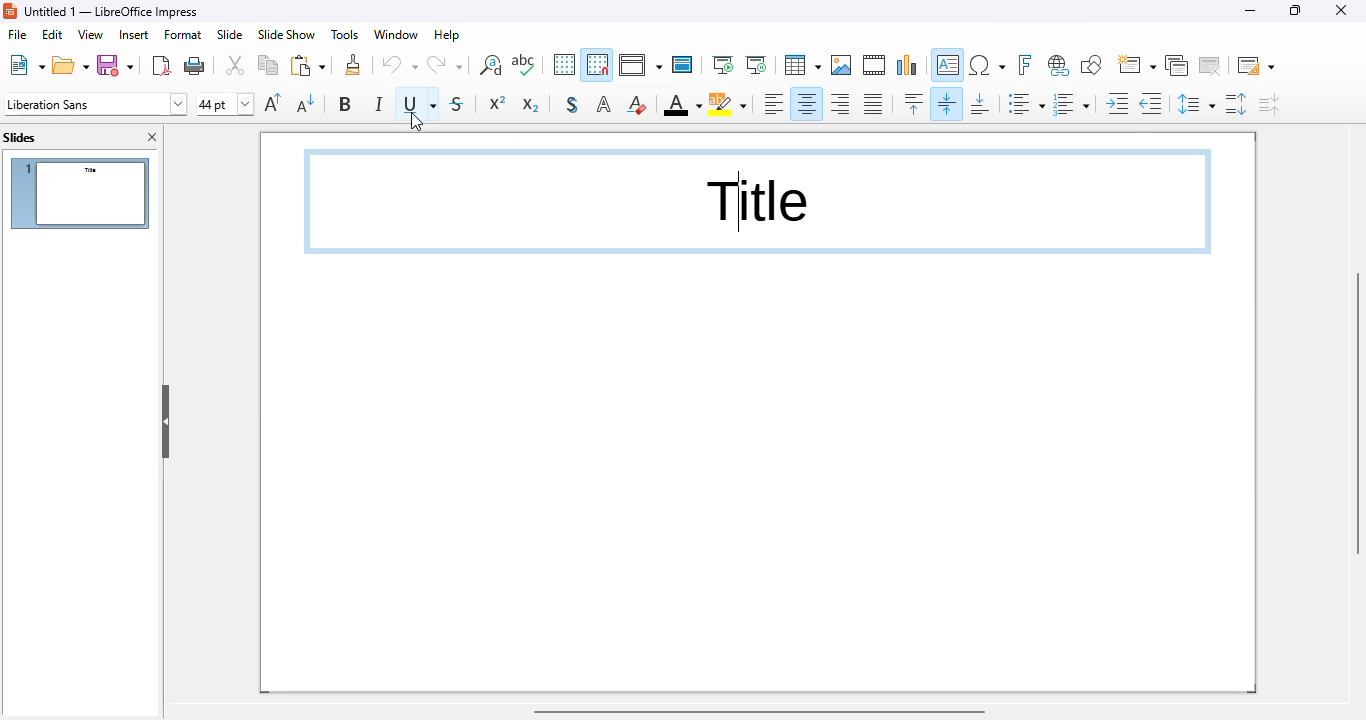  Describe the element at coordinates (347, 104) in the screenshot. I see `bold` at that location.